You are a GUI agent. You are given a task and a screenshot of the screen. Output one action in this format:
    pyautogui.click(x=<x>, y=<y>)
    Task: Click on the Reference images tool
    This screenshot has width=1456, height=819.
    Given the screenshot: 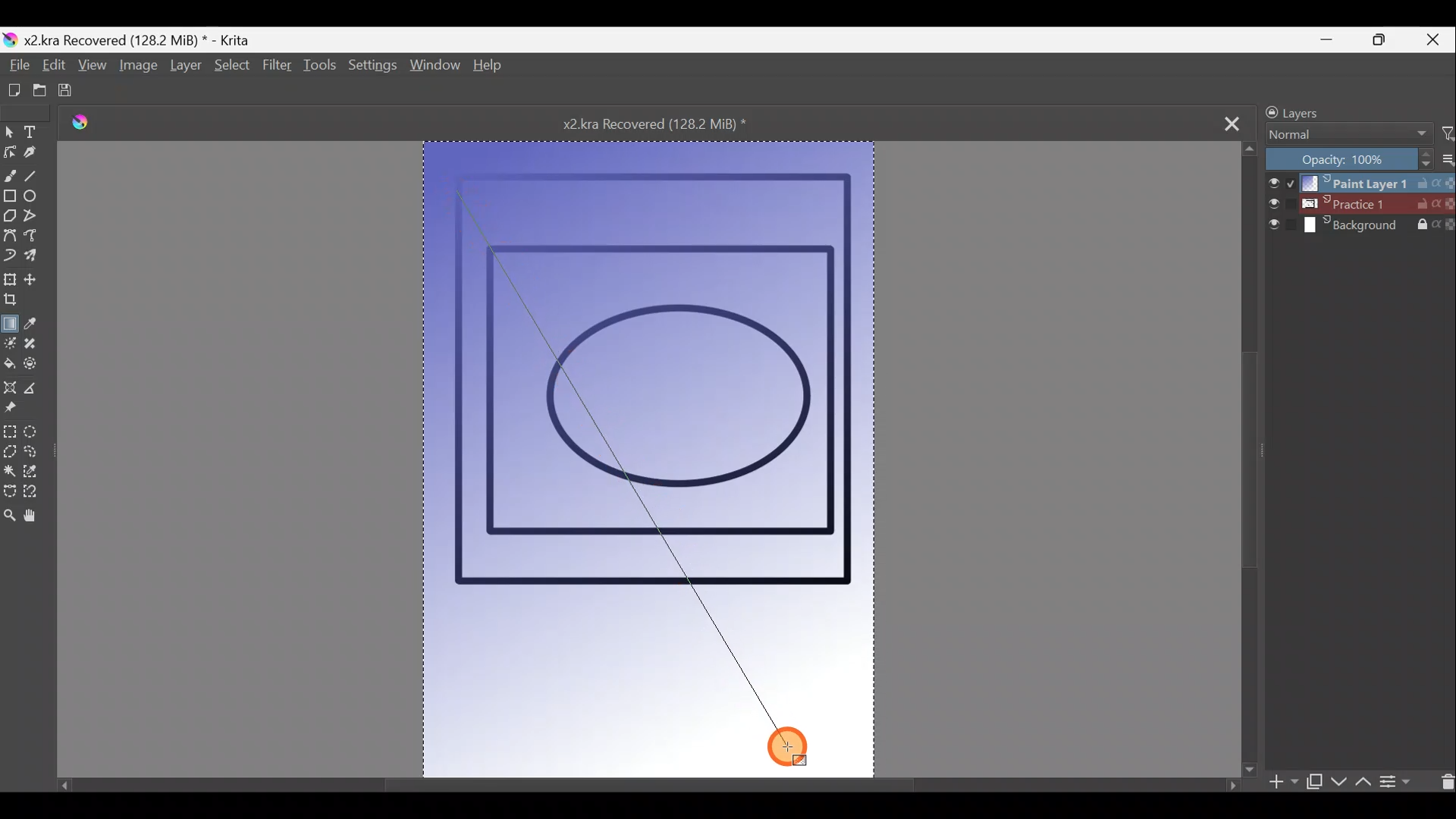 What is the action you would take?
    pyautogui.click(x=11, y=413)
    